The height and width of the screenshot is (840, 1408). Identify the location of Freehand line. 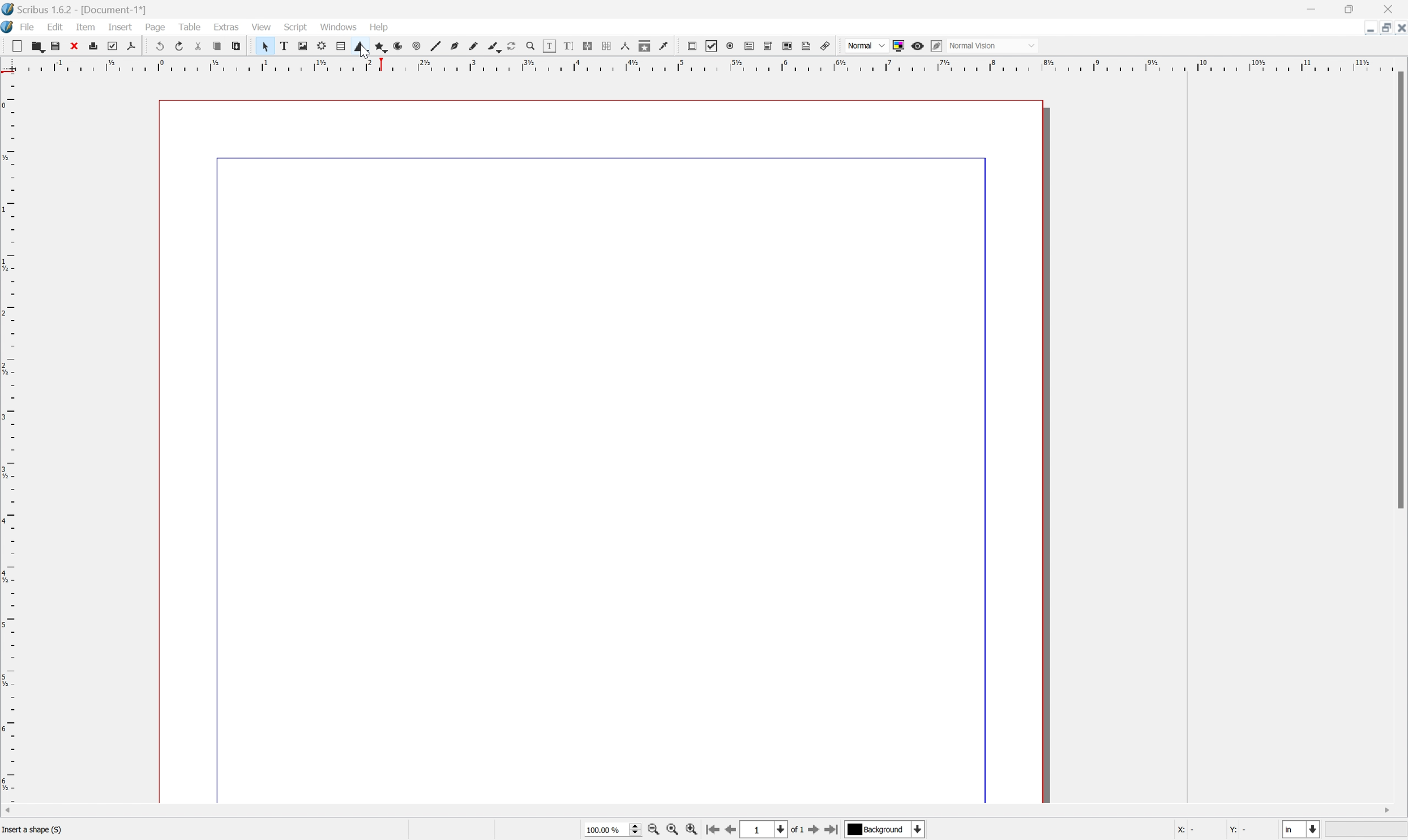
(474, 46).